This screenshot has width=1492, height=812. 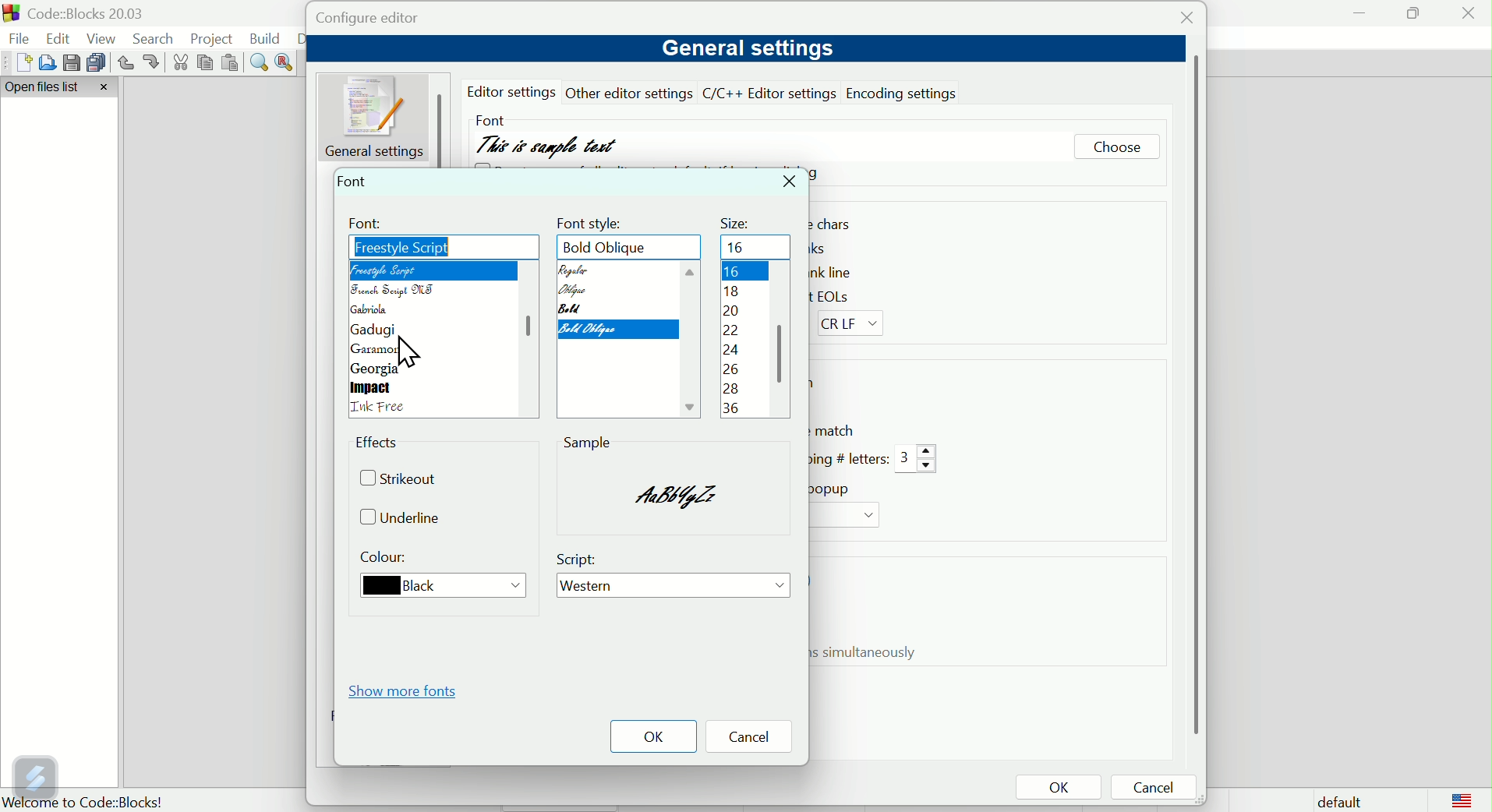 I want to click on Underline, so click(x=407, y=519).